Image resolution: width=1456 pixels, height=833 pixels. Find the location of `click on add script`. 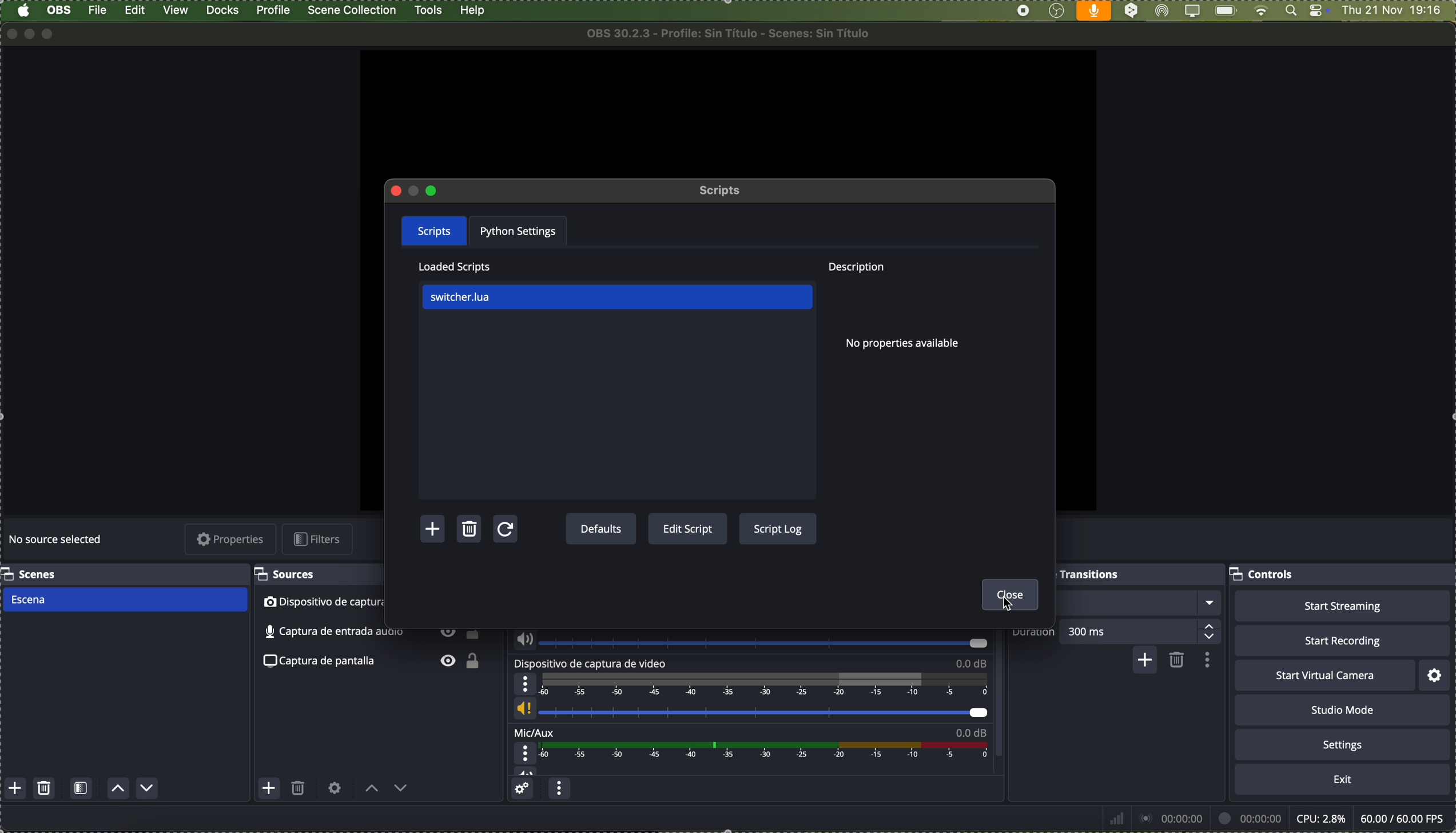

click on add script is located at coordinates (435, 529).